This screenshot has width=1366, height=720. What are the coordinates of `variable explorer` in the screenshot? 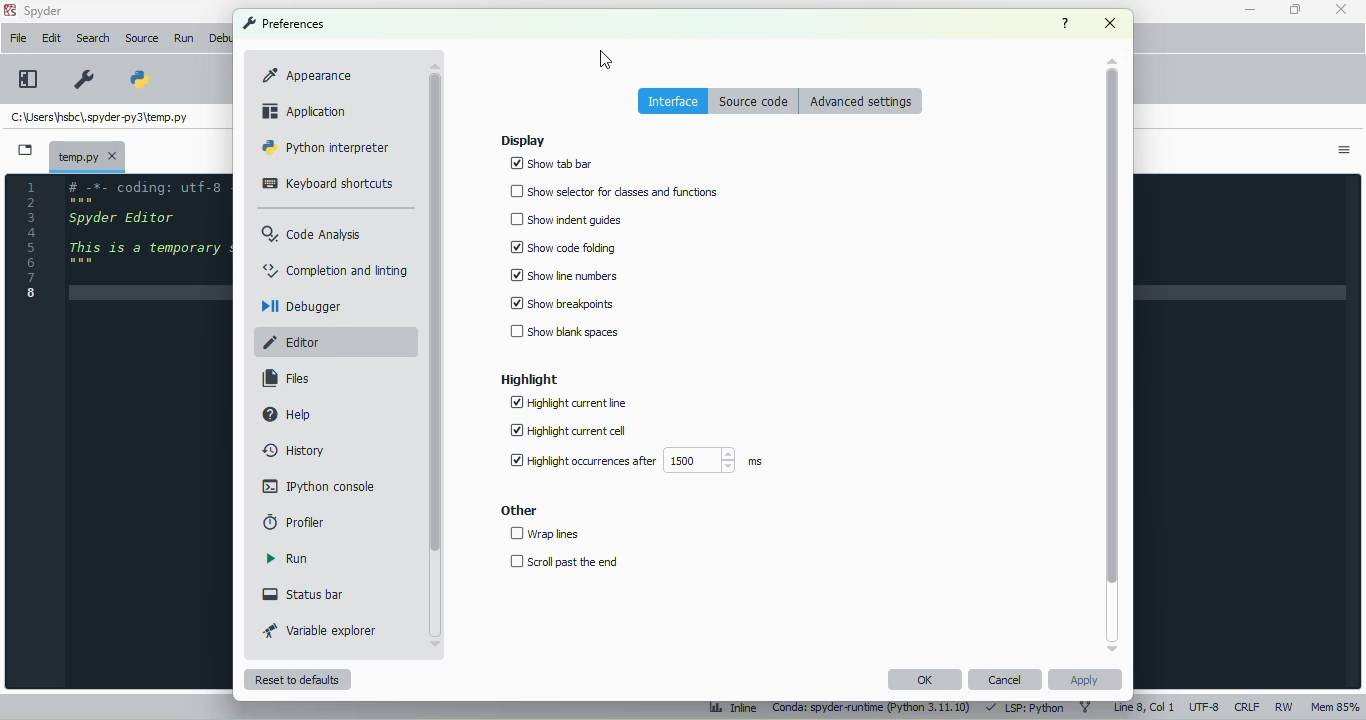 It's located at (321, 629).